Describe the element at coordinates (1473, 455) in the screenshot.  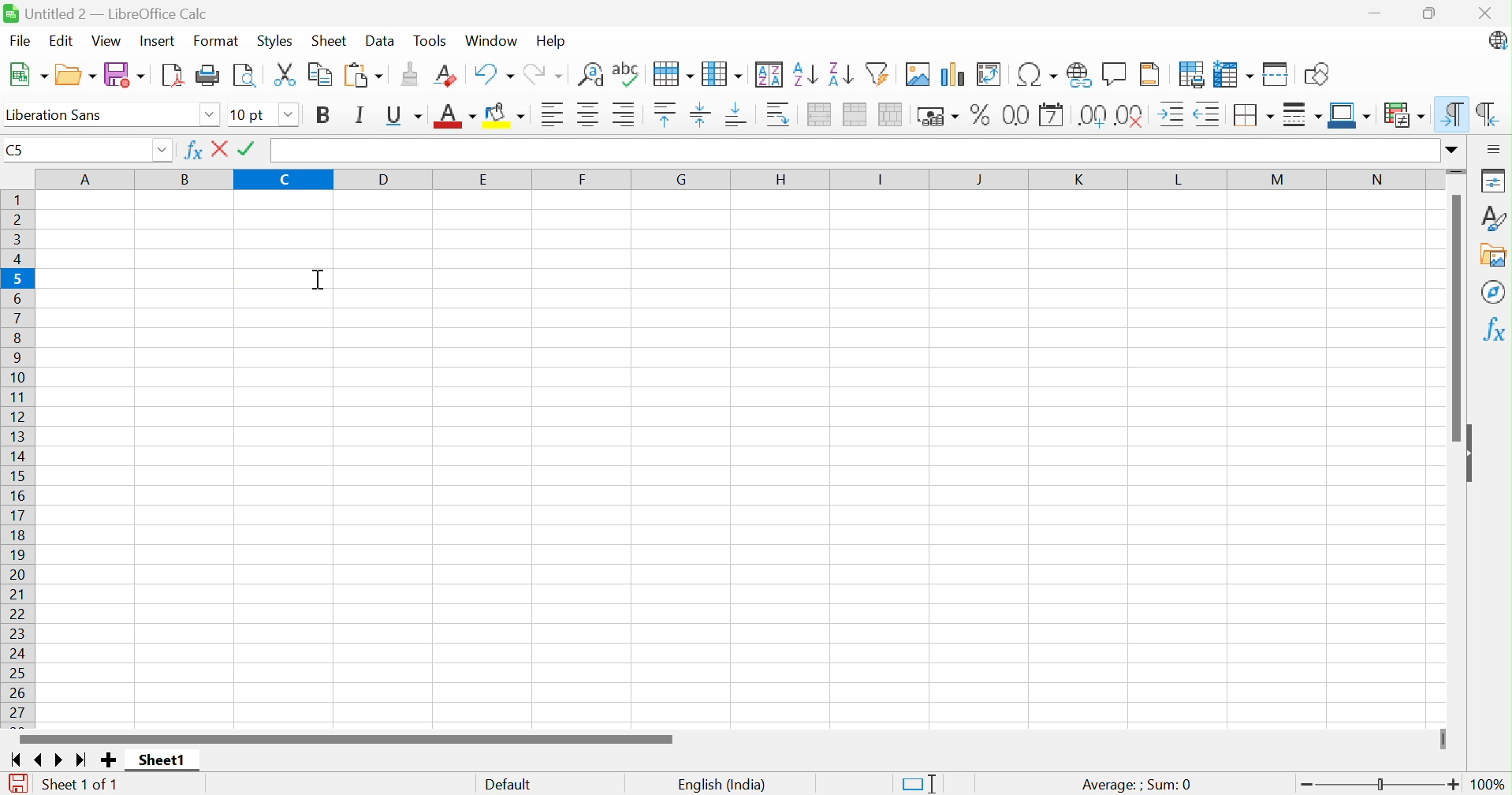
I see `Hide` at that location.